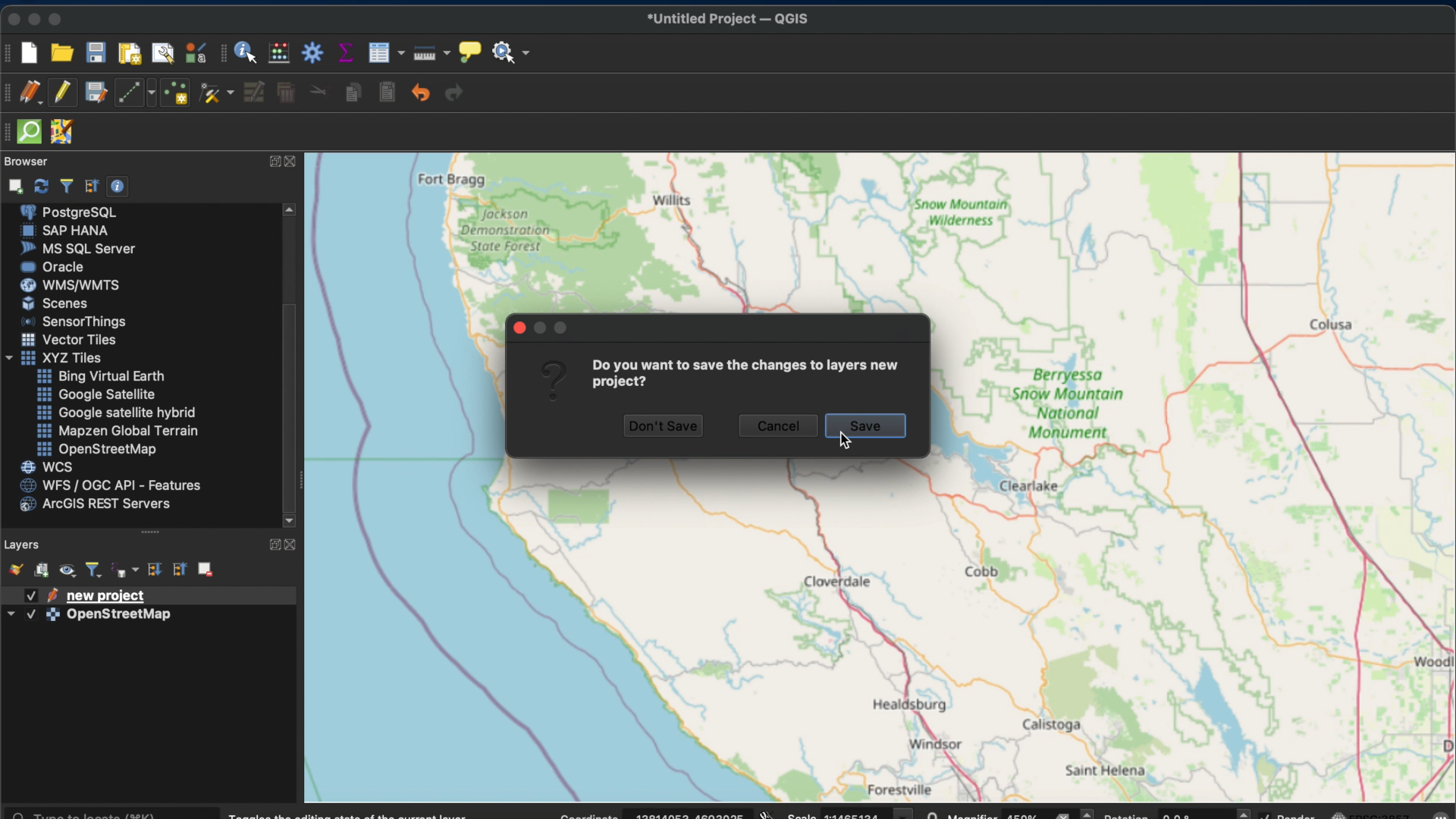 The height and width of the screenshot is (819, 1456). Describe the element at coordinates (849, 441) in the screenshot. I see `CURSOR` at that location.